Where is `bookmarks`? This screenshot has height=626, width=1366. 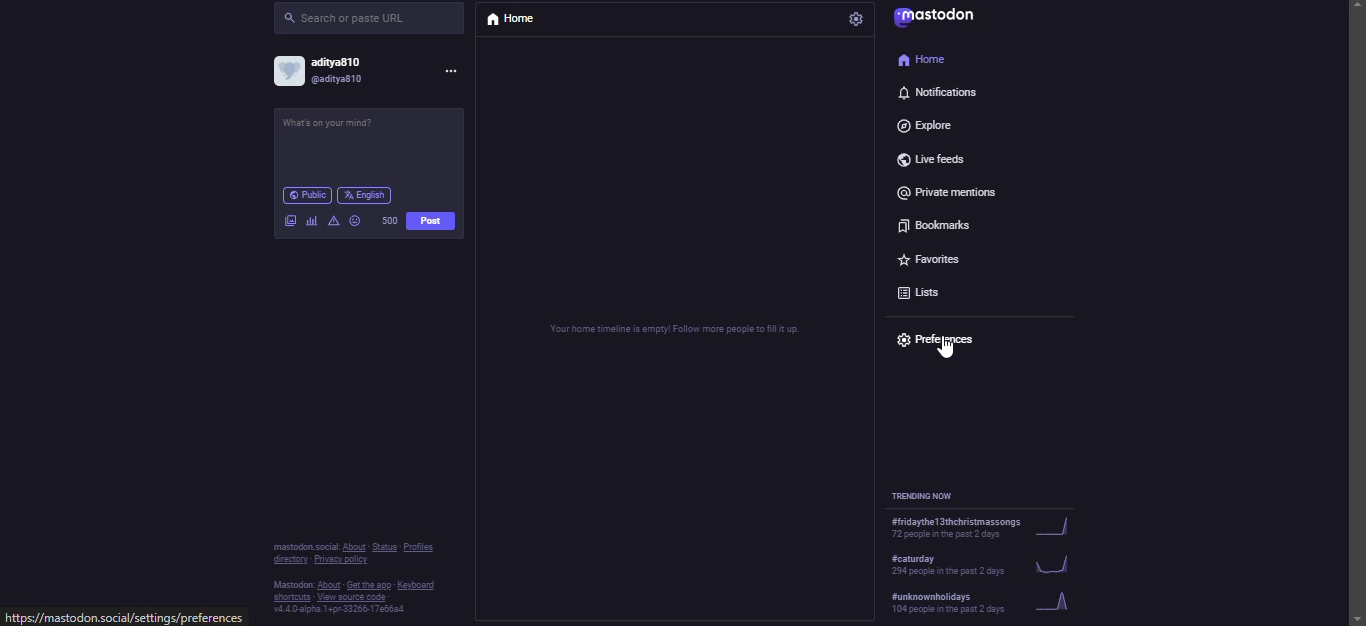
bookmarks is located at coordinates (935, 223).